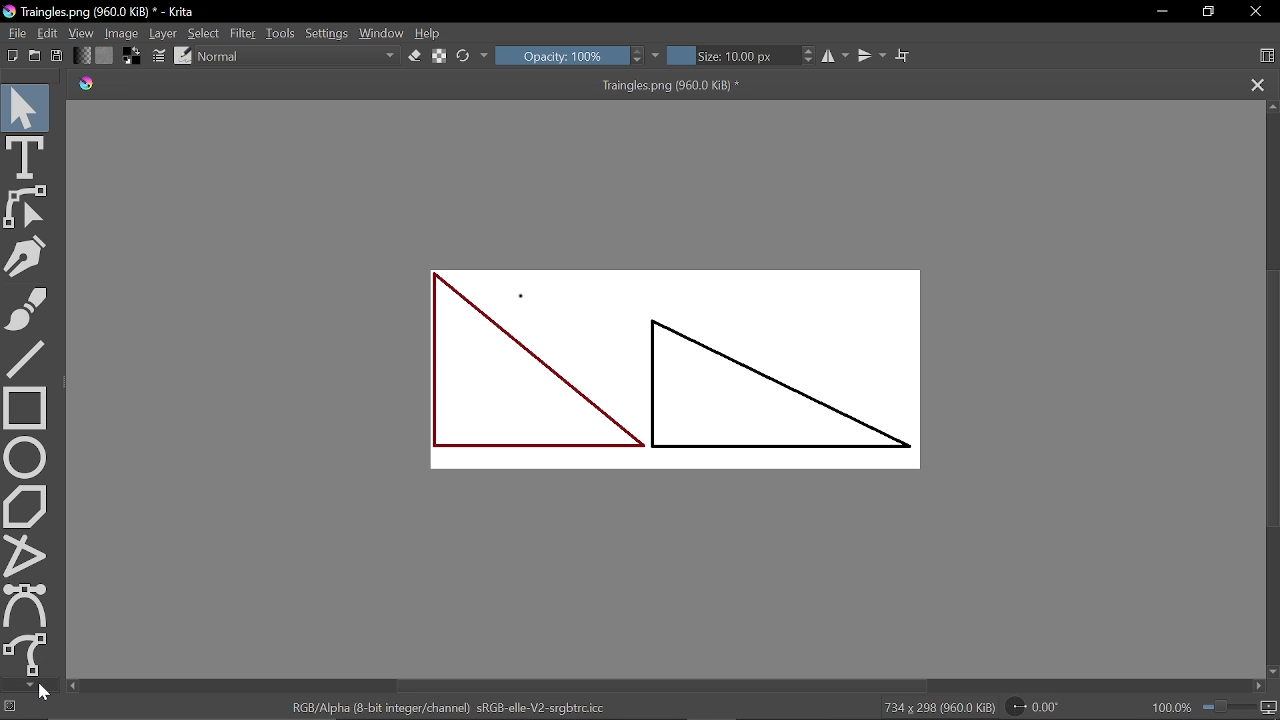 This screenshot has width=1280, height=720. What do you see at coordinates (1215, 707) in the screenshot?
I see `100.0%` at bounding box center [1215, 707].